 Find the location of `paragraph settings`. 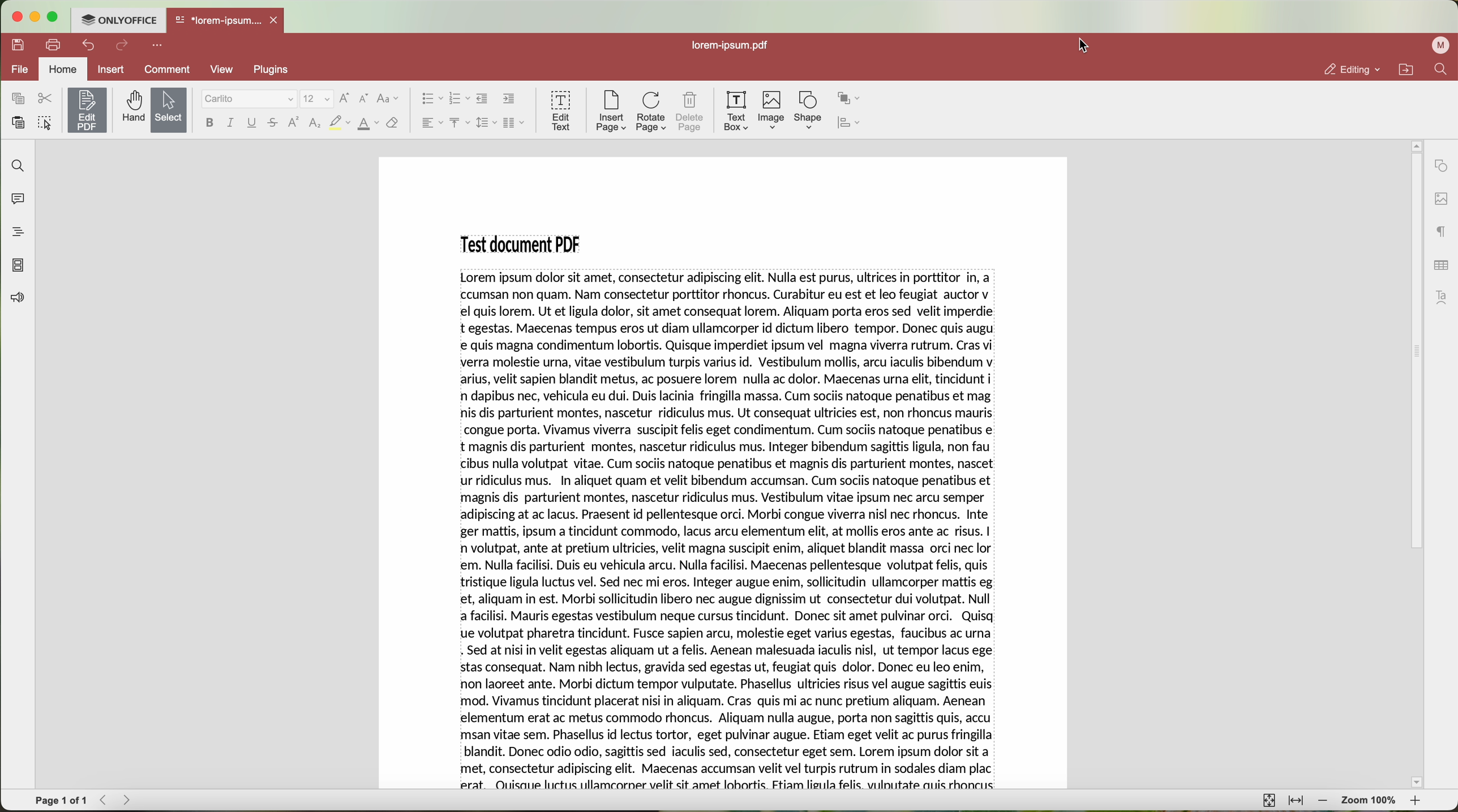

paragraph settings is located at coordinates (1442, 231).